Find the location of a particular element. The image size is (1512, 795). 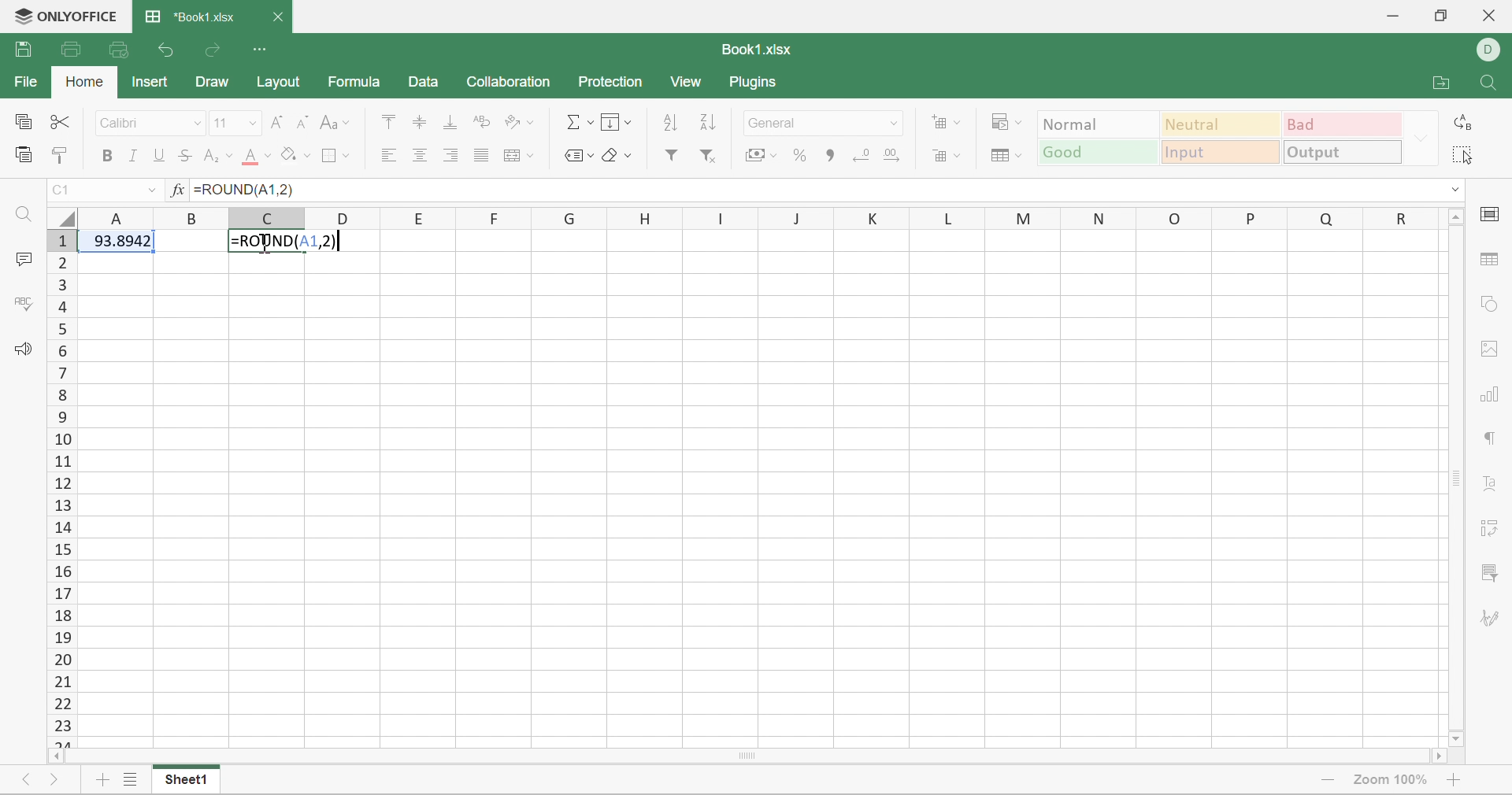

Chart settings is located at coordinates (1492, 397).